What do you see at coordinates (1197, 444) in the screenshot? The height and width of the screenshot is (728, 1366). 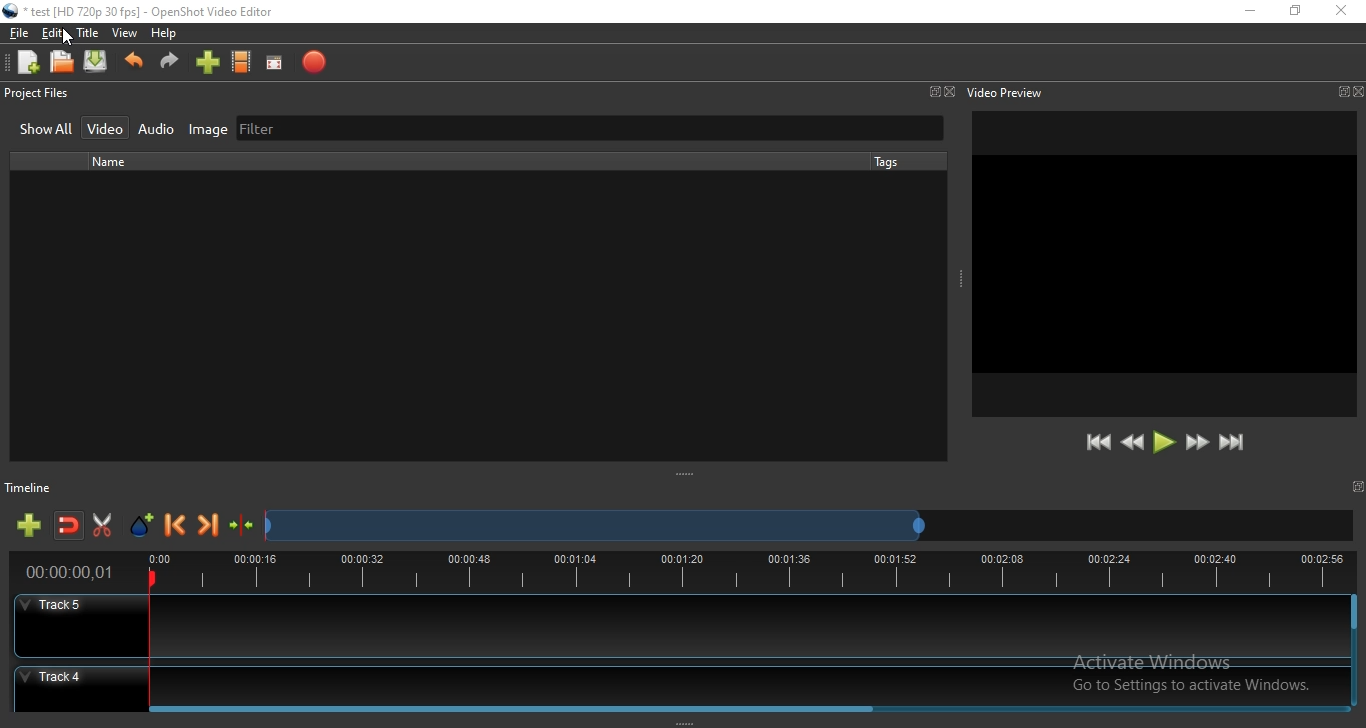 I see `Fast forward` at bounding box center [1197, 444].